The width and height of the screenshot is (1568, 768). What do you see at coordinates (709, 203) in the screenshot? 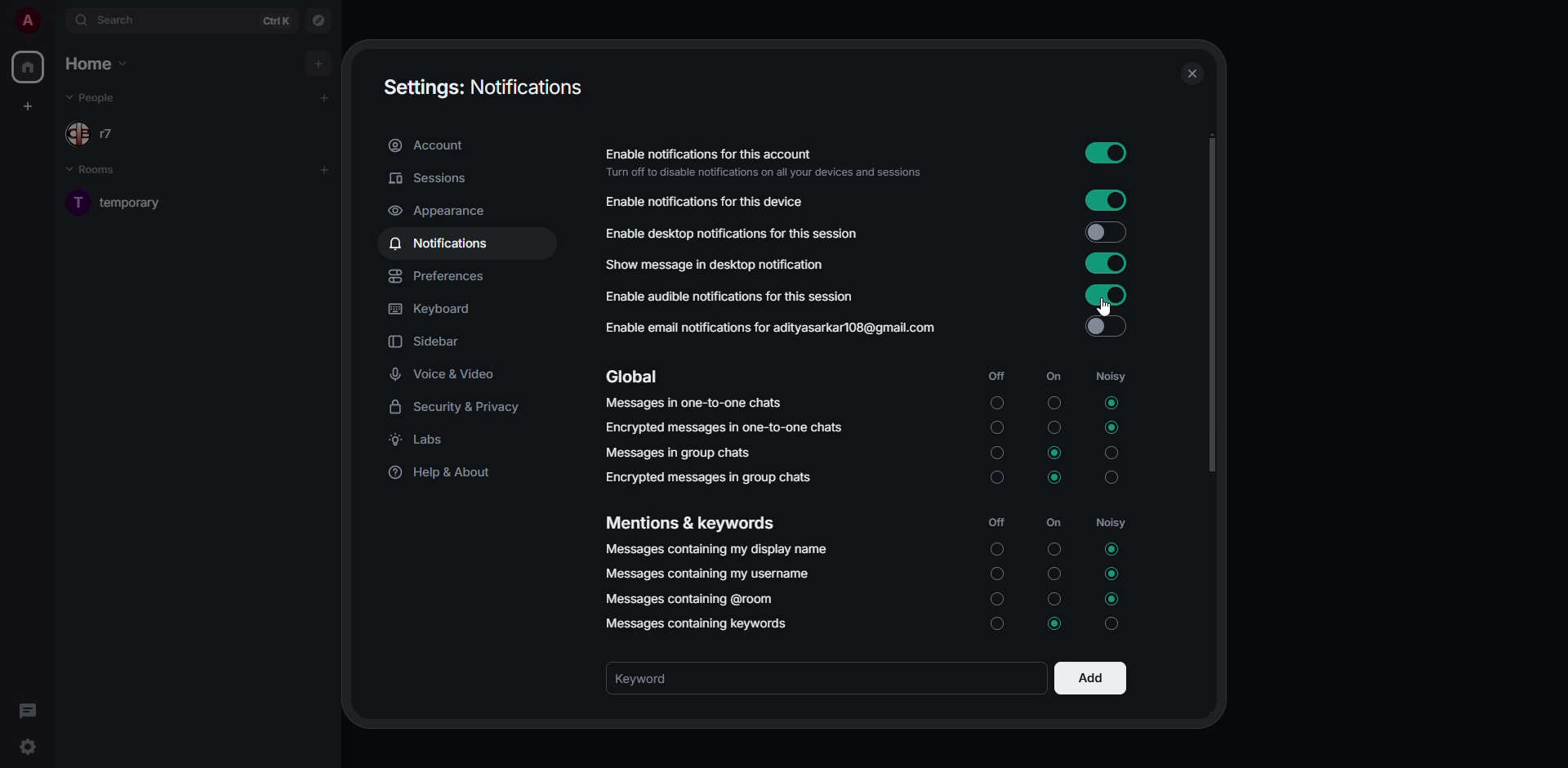
I see `enable notifications for this device` at bounding box center [709, 203].